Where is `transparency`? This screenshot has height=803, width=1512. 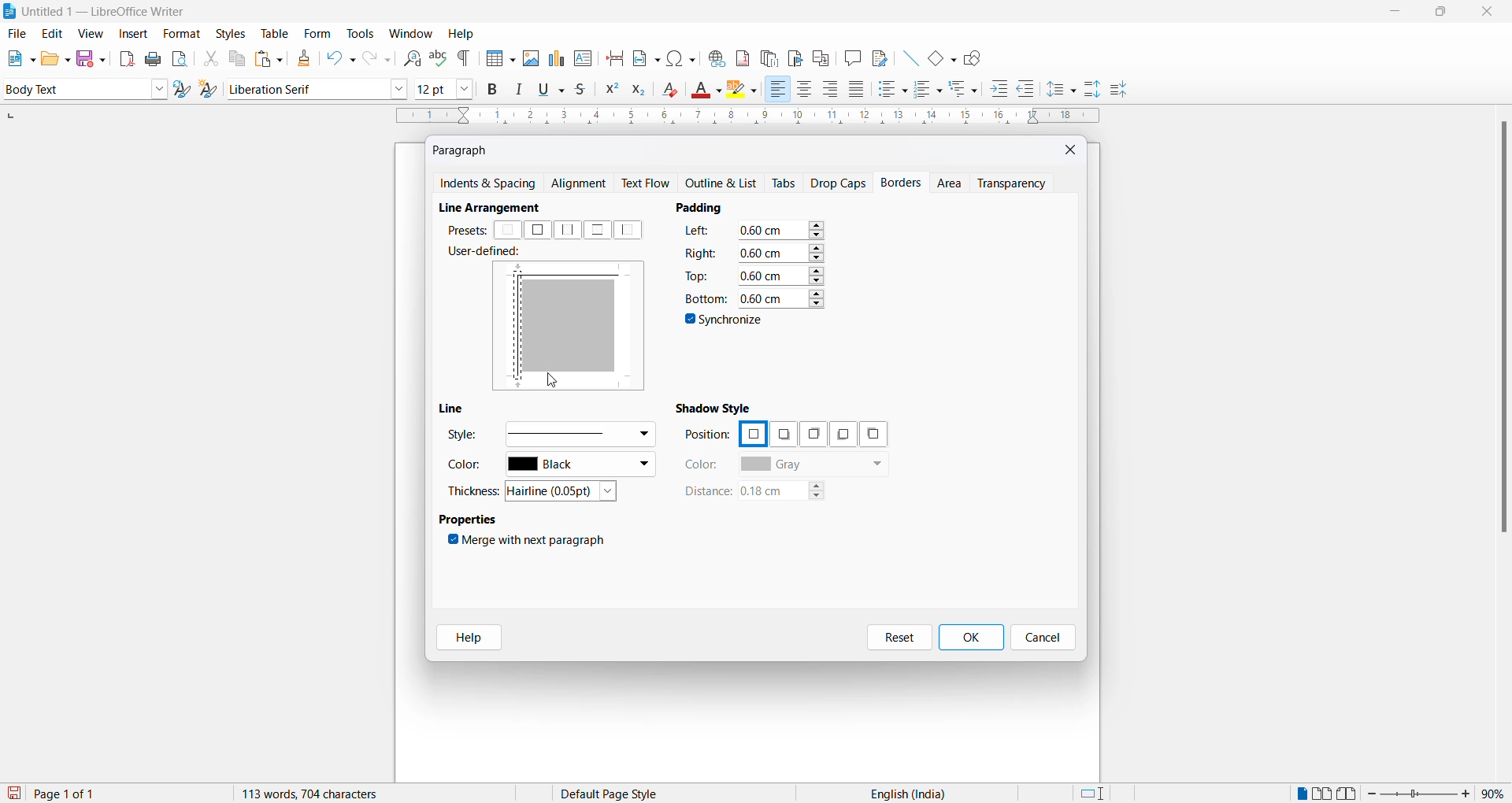
transparency is located at coordinates (1017, 183).